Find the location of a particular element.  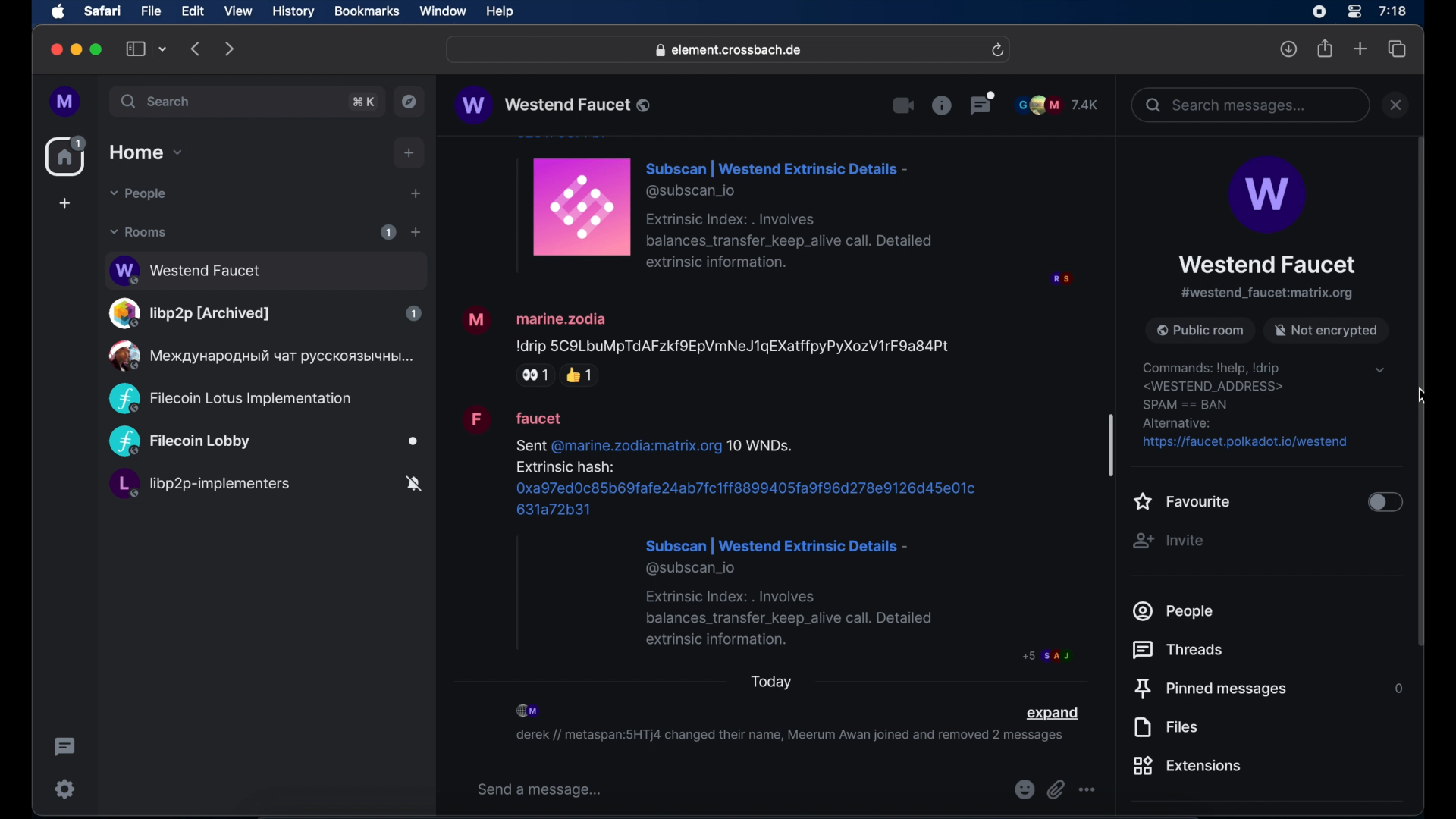

public room is located at coordinates (230, 399).